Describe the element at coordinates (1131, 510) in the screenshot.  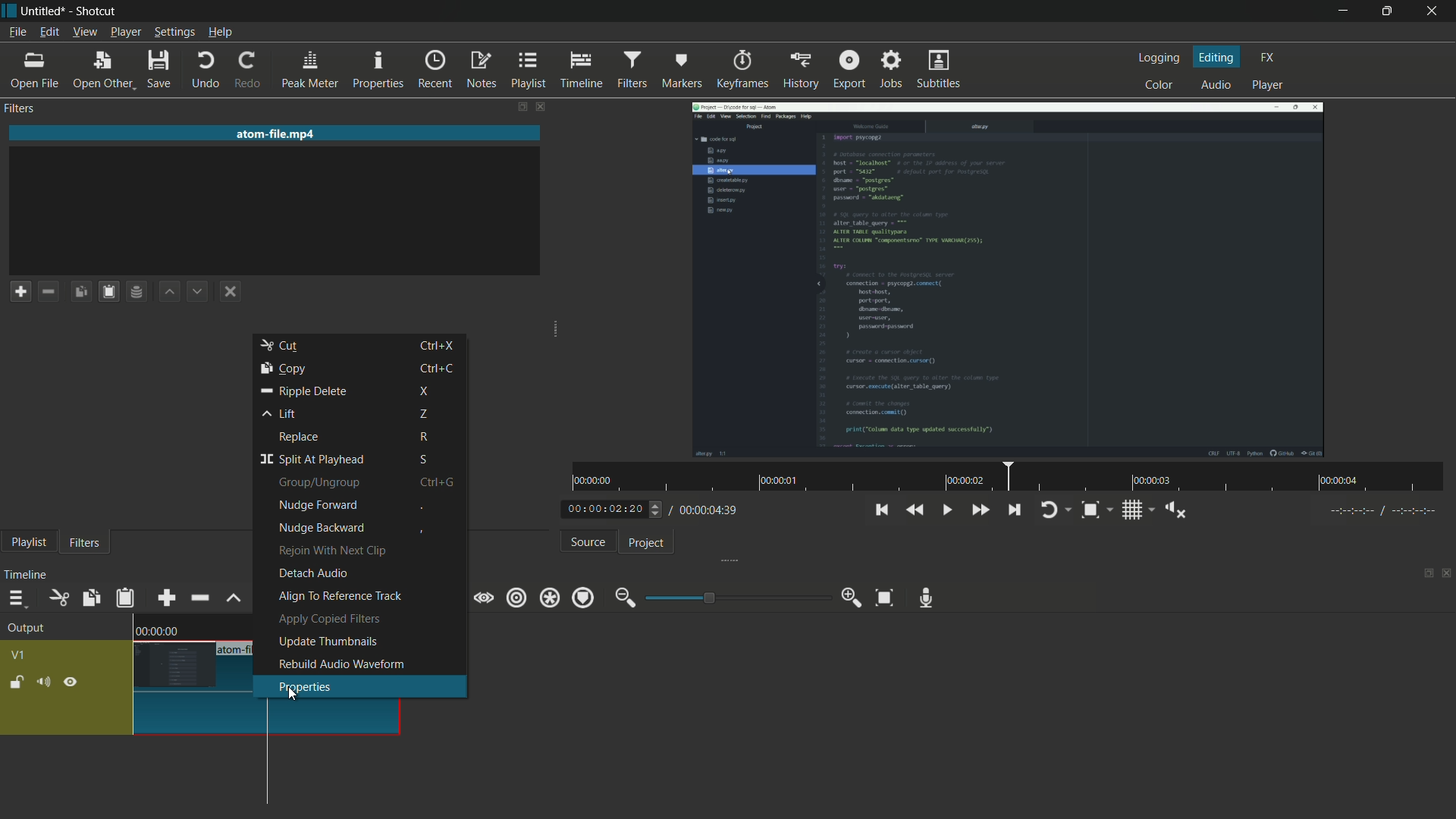
I see `toggle grid` at that location.